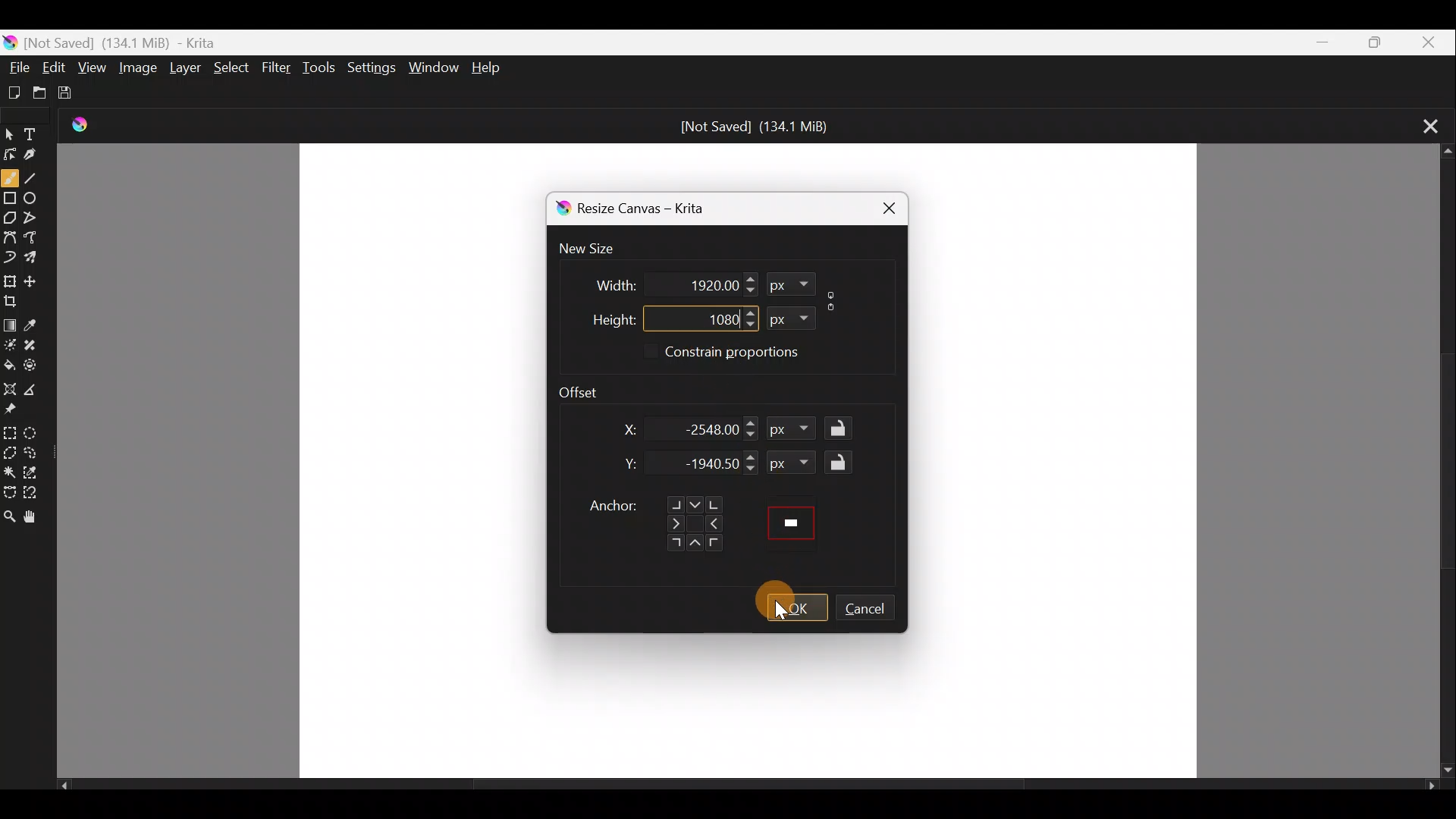  What do you see at coordinates (55, 67) in the screenshot?
I see `Edit` at bounding box center [55, 67].